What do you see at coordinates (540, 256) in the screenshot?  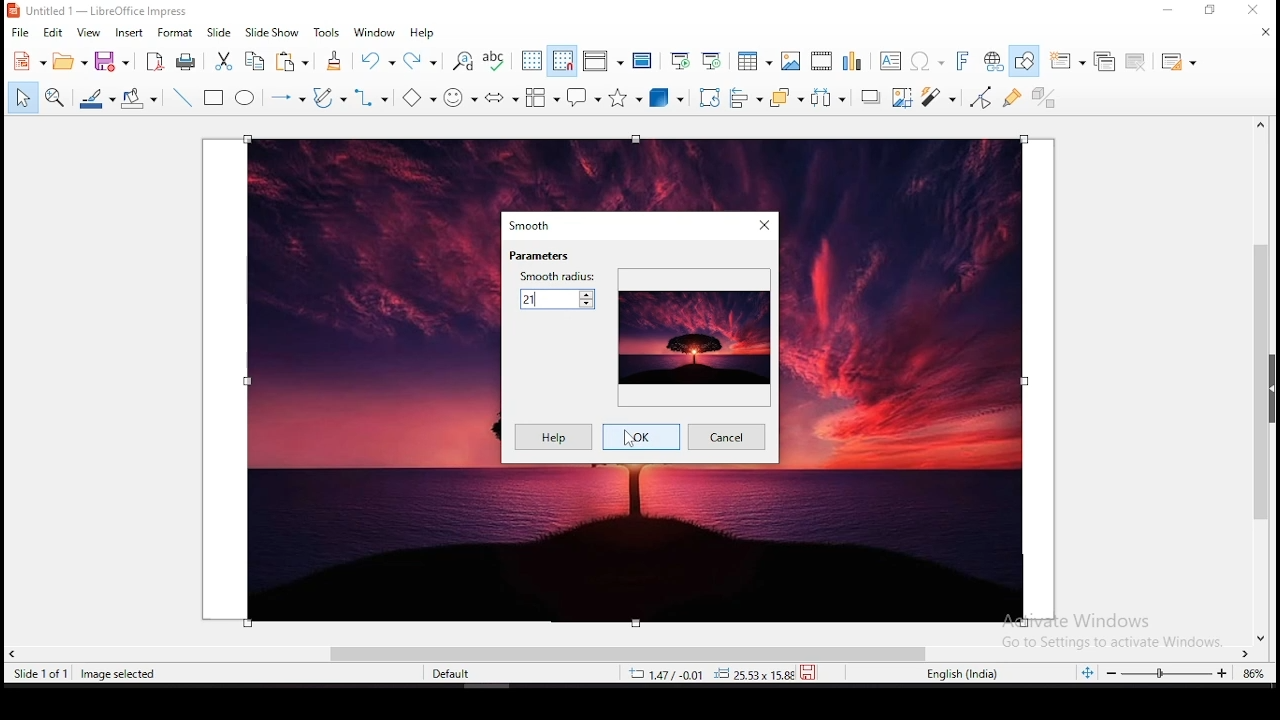 I see `parameters` at bounding box center [540, 256].